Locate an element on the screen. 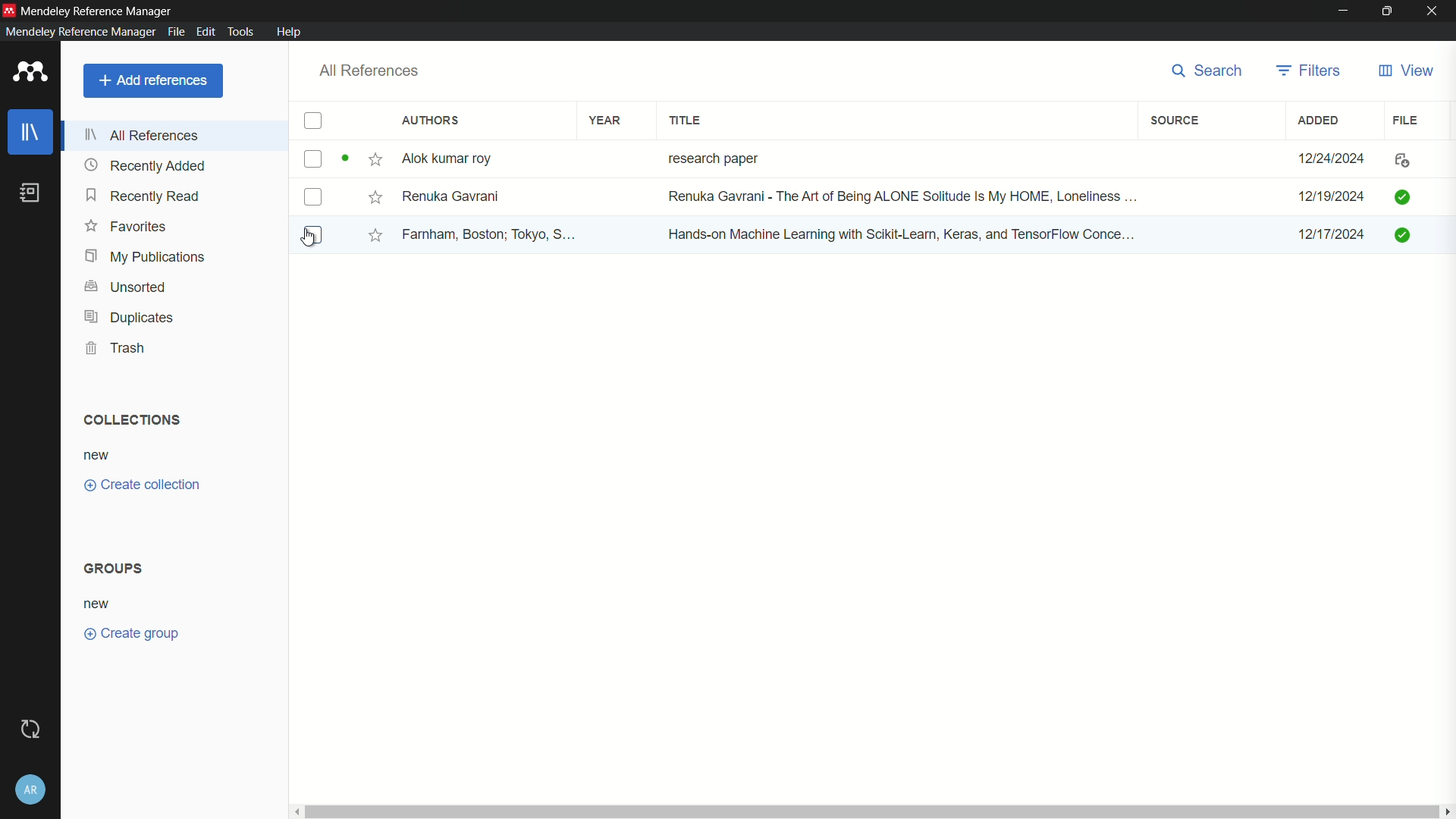 The image size is (1456, 819). create group is located at coordinates (129, 632).